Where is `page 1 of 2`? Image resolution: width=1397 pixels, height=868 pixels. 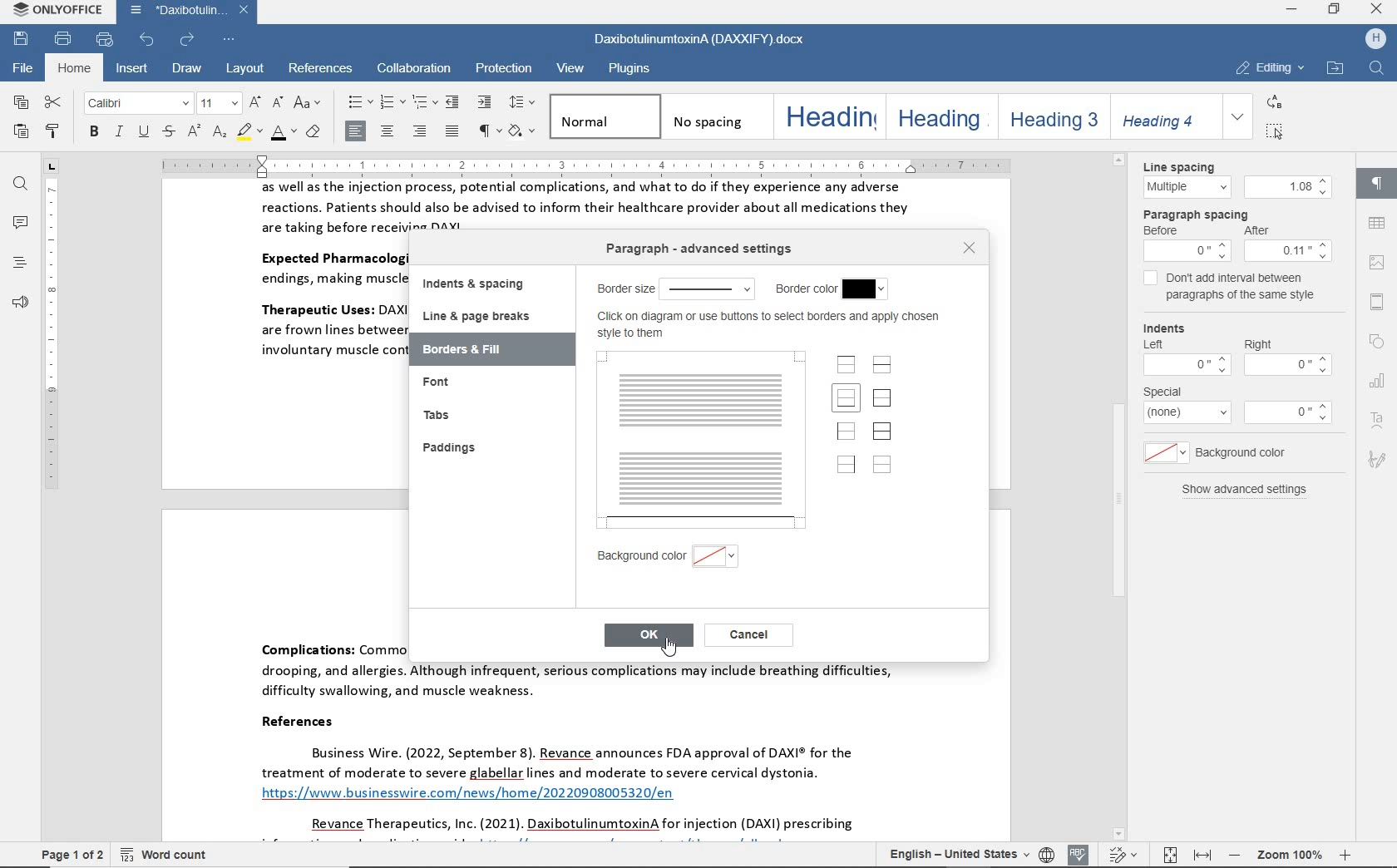 page 1 of 2 is located at coordinates (72, 853).